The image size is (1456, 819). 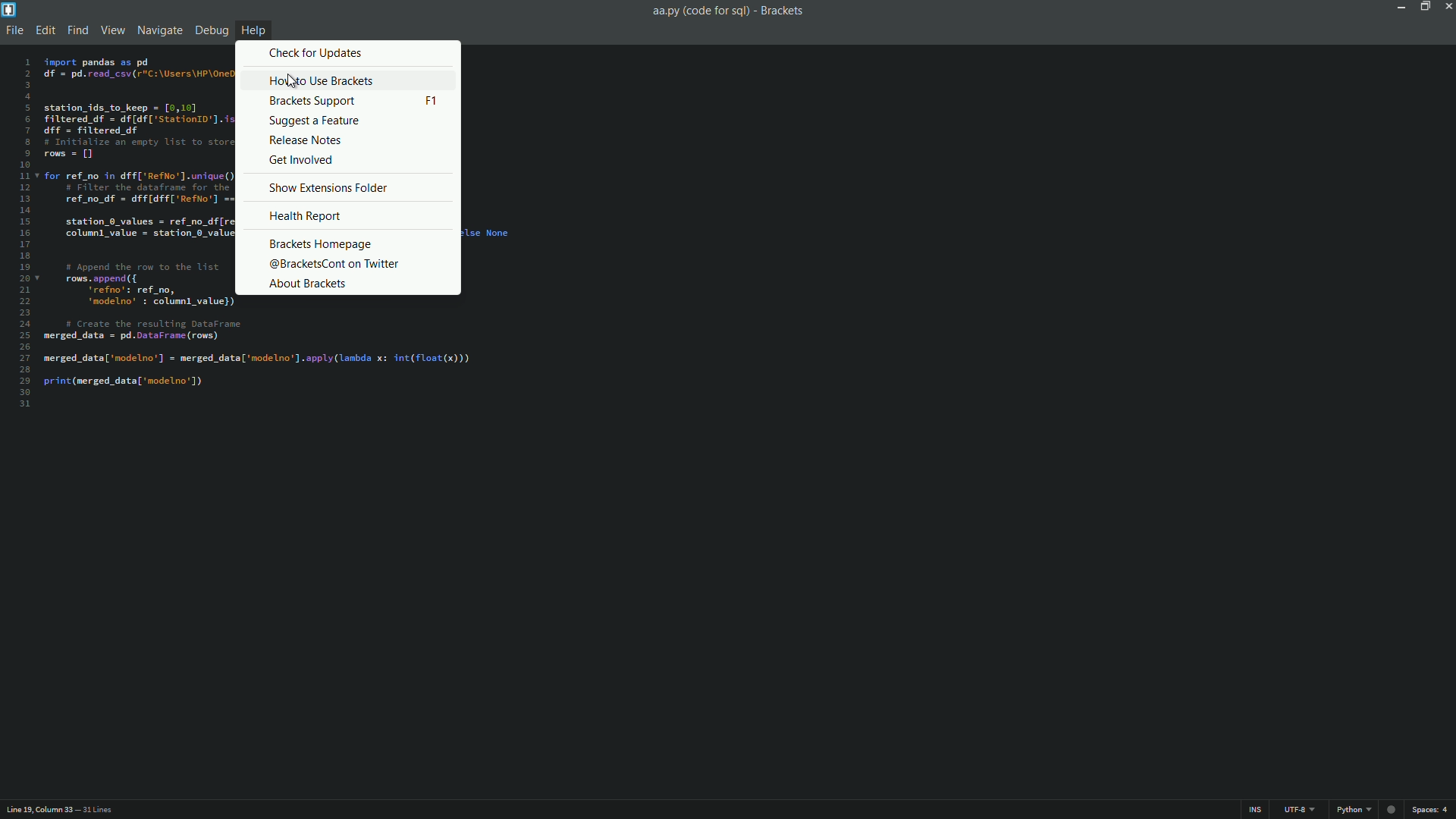 What do you see at coordinates (77, 31) in the screenshot?
I see `find menu` at bounding box center [77, 31].